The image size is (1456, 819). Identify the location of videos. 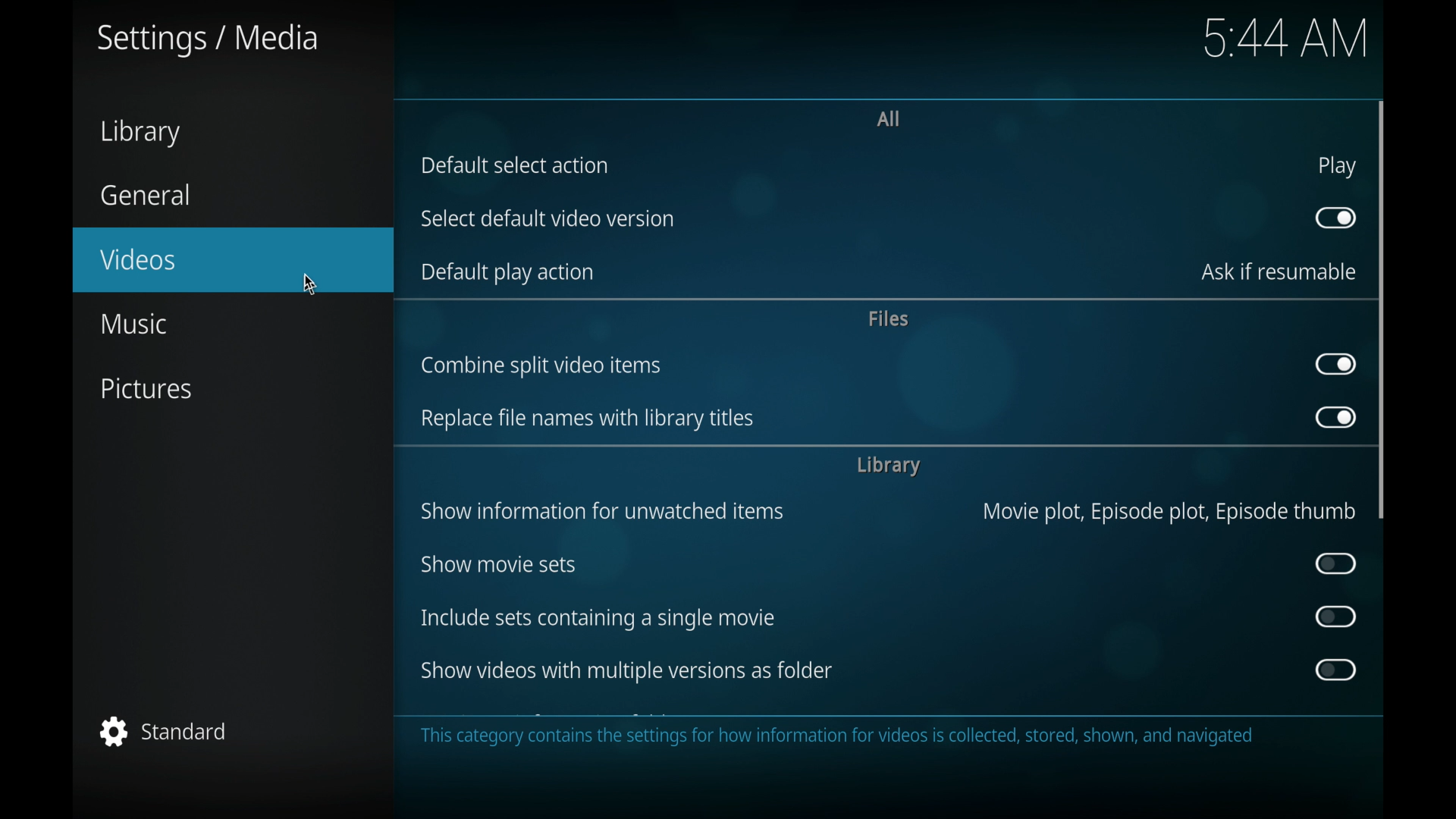
(233, 260).